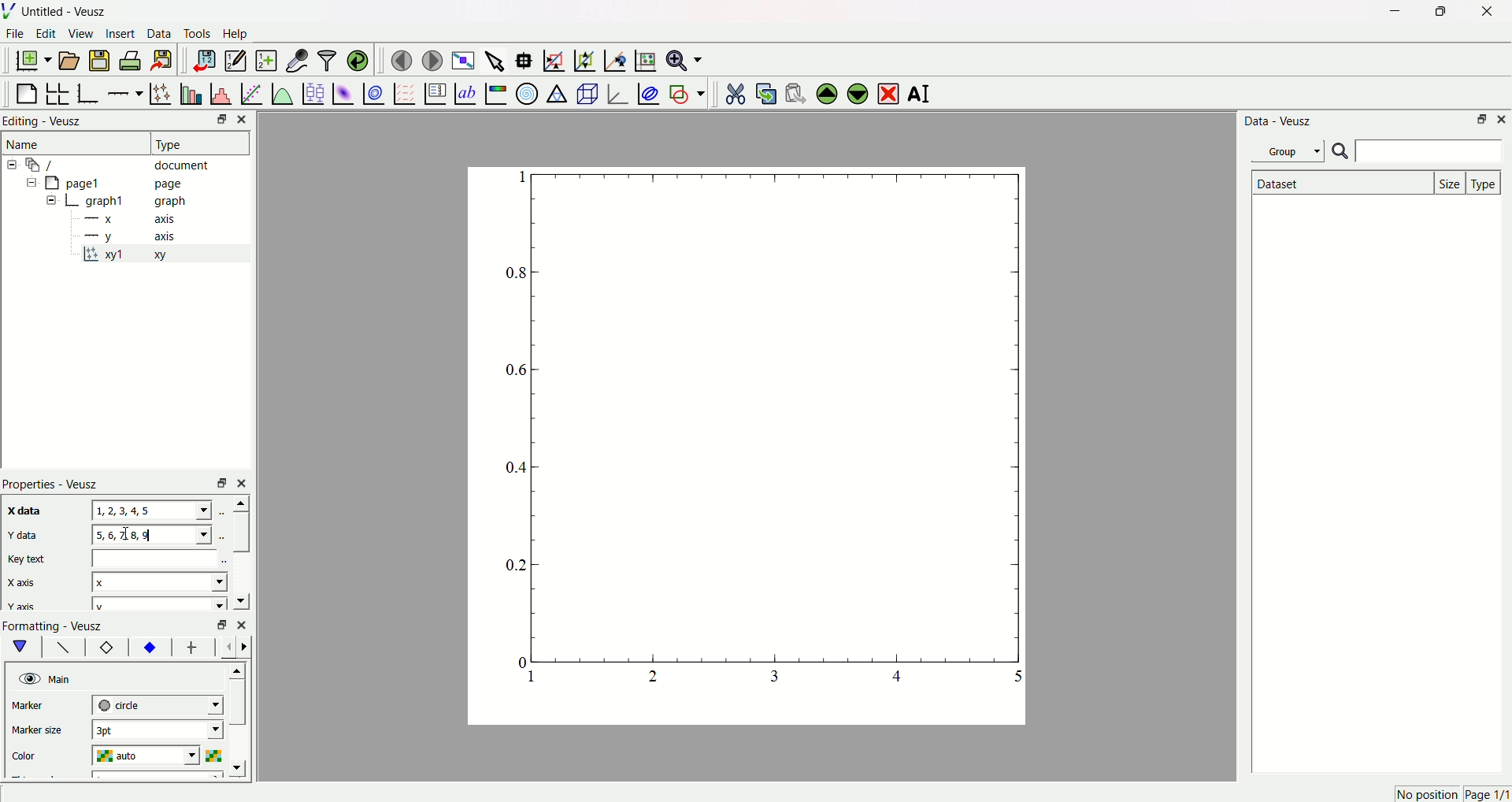 This screenshot has height=802, width=1512. Describe the element at coordinates (1437, 12) in the screenshot. I see `Maximize` at that location.